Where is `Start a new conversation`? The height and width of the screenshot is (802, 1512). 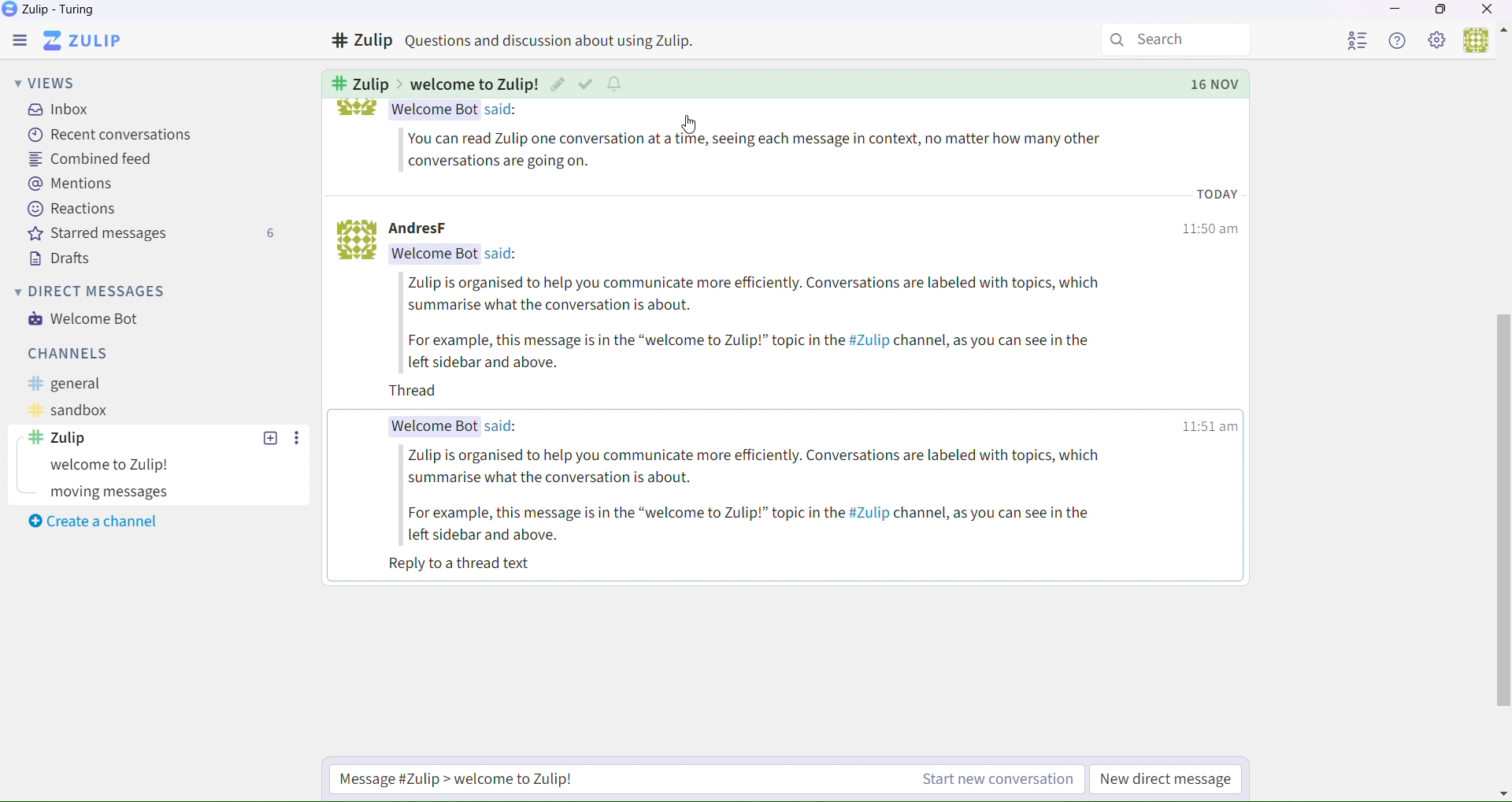 Start a new conversation is located at coordinates (548, 780).